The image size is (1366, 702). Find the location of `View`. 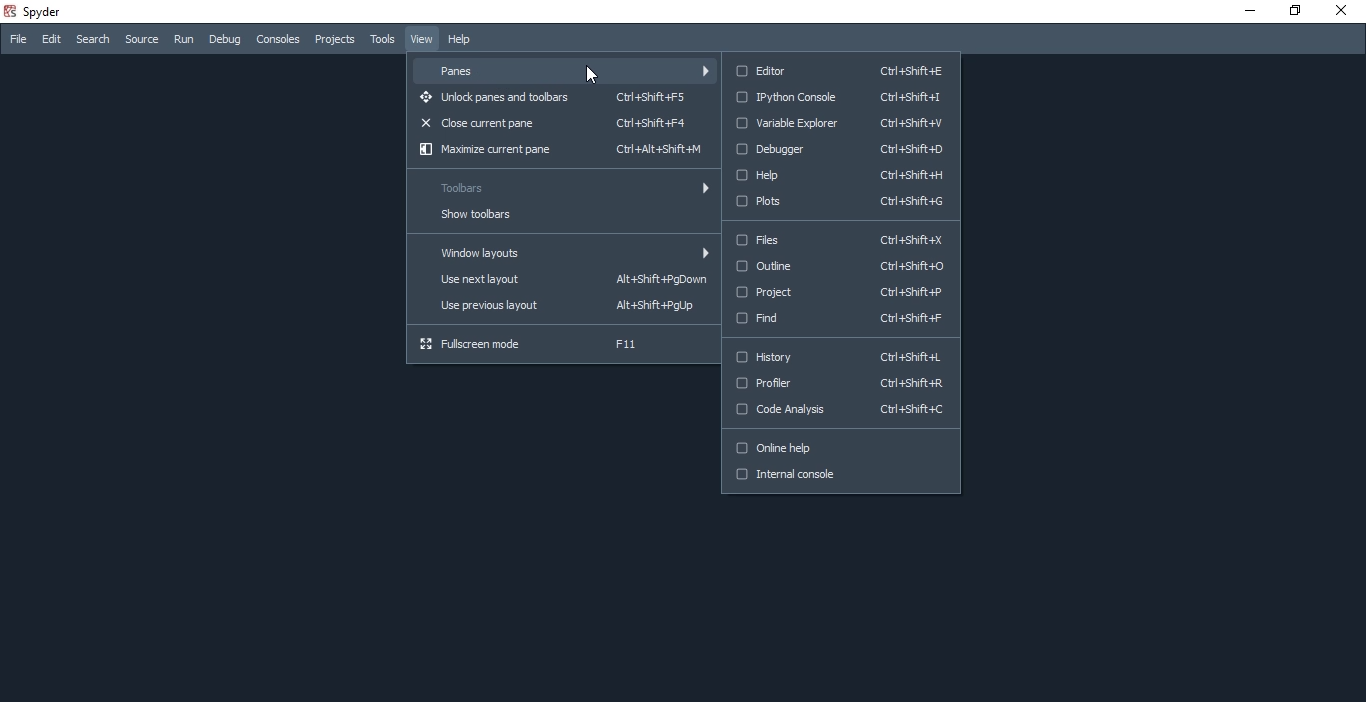

View is located at coordinates (419, 39).